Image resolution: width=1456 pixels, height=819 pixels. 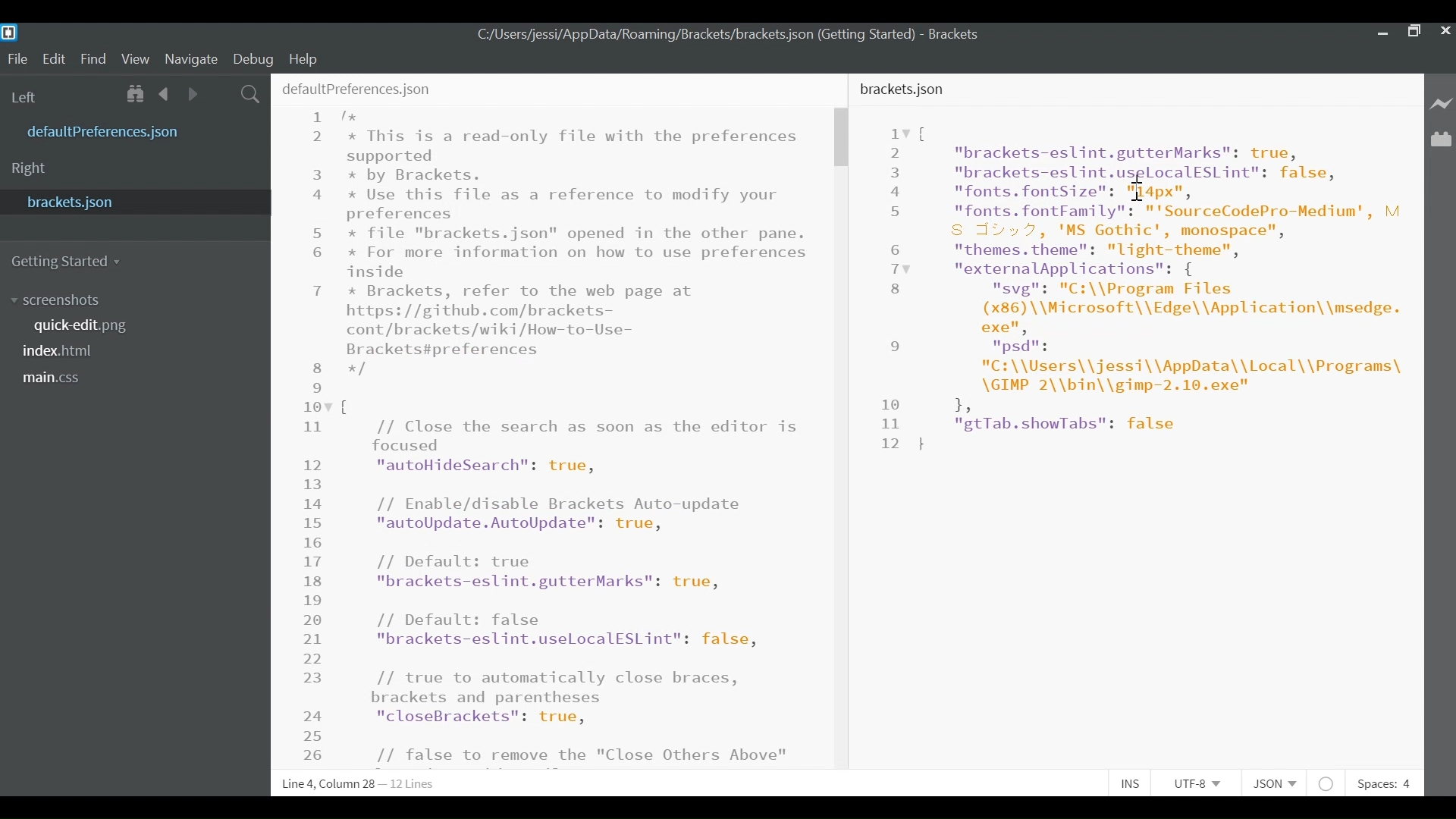 I want to click on minimize, so click(x=1381, y=33).